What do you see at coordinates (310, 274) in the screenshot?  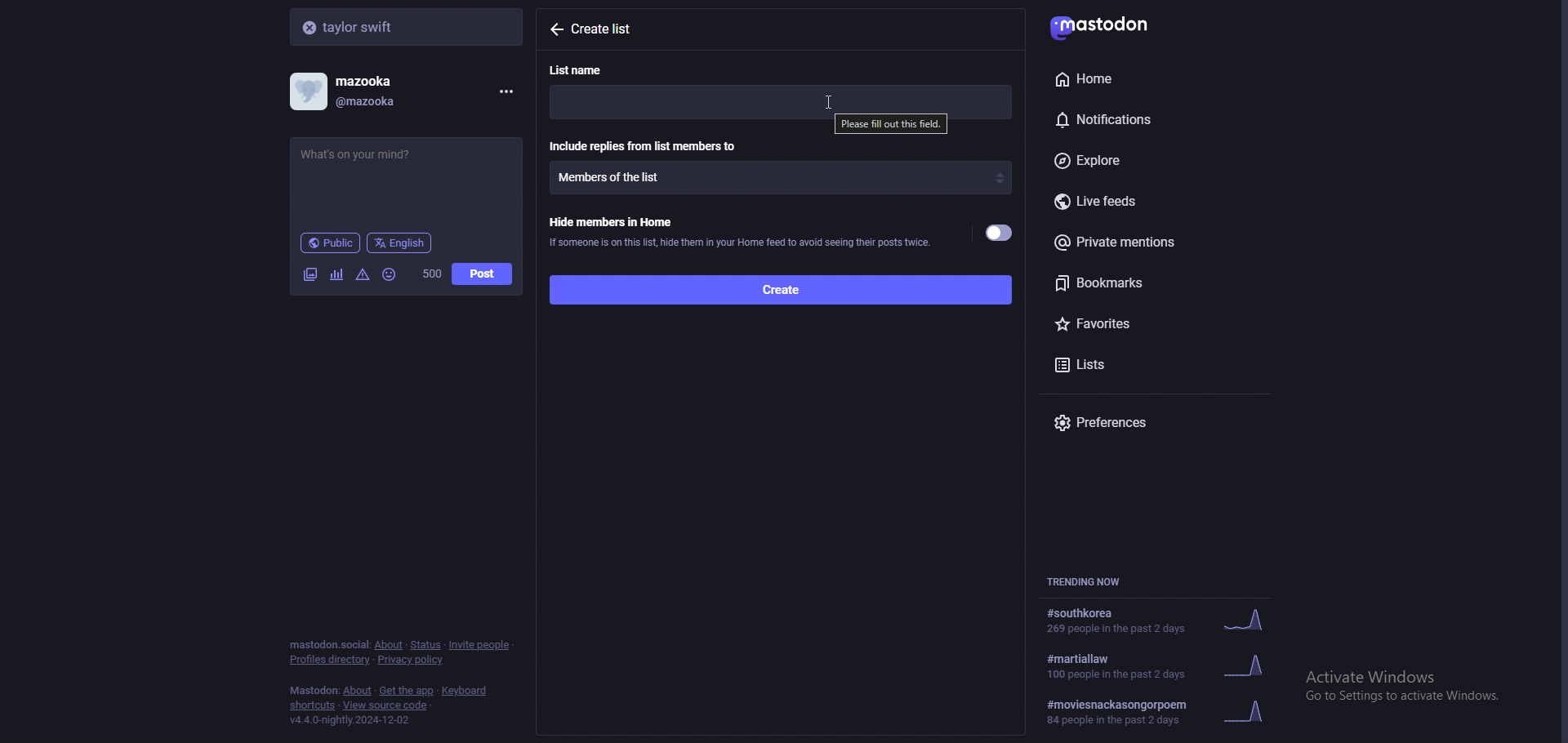 I see `image` at bounding box center [310, 274].